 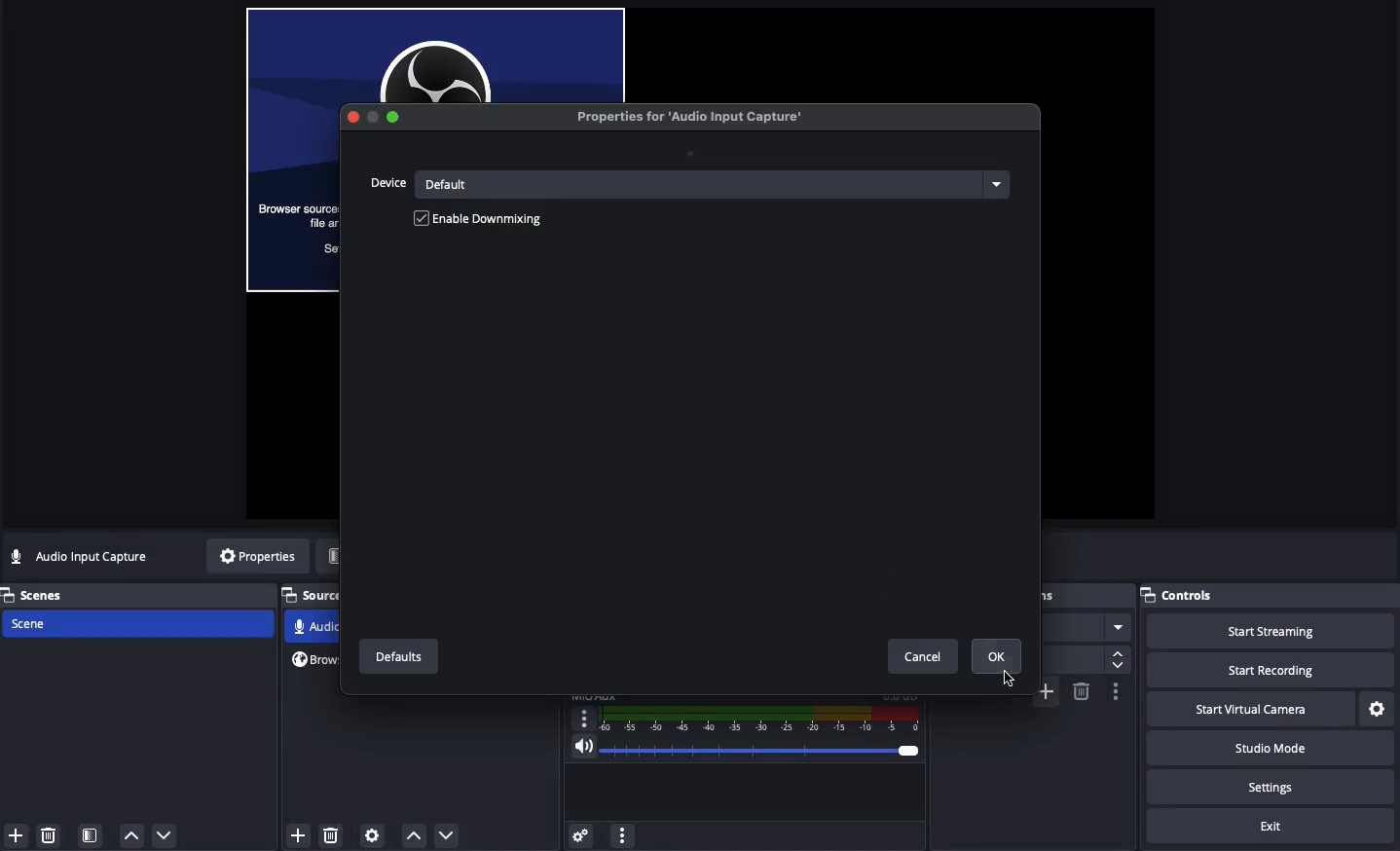 I want to click on Scene, so click(x=142, y=624).